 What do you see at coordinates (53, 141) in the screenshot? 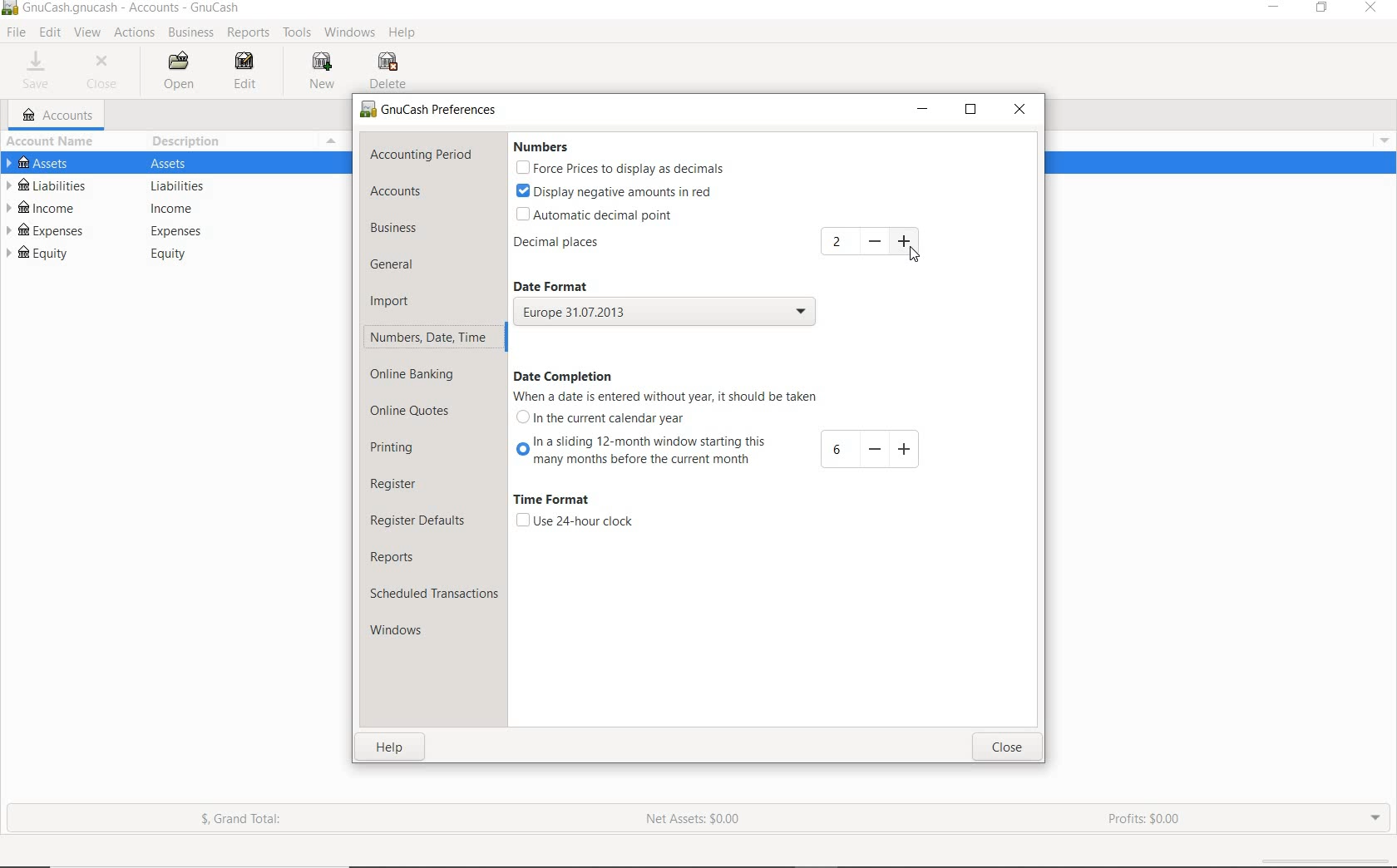
I see `ACCOUNT NAME` at bounding box center [53, 141].